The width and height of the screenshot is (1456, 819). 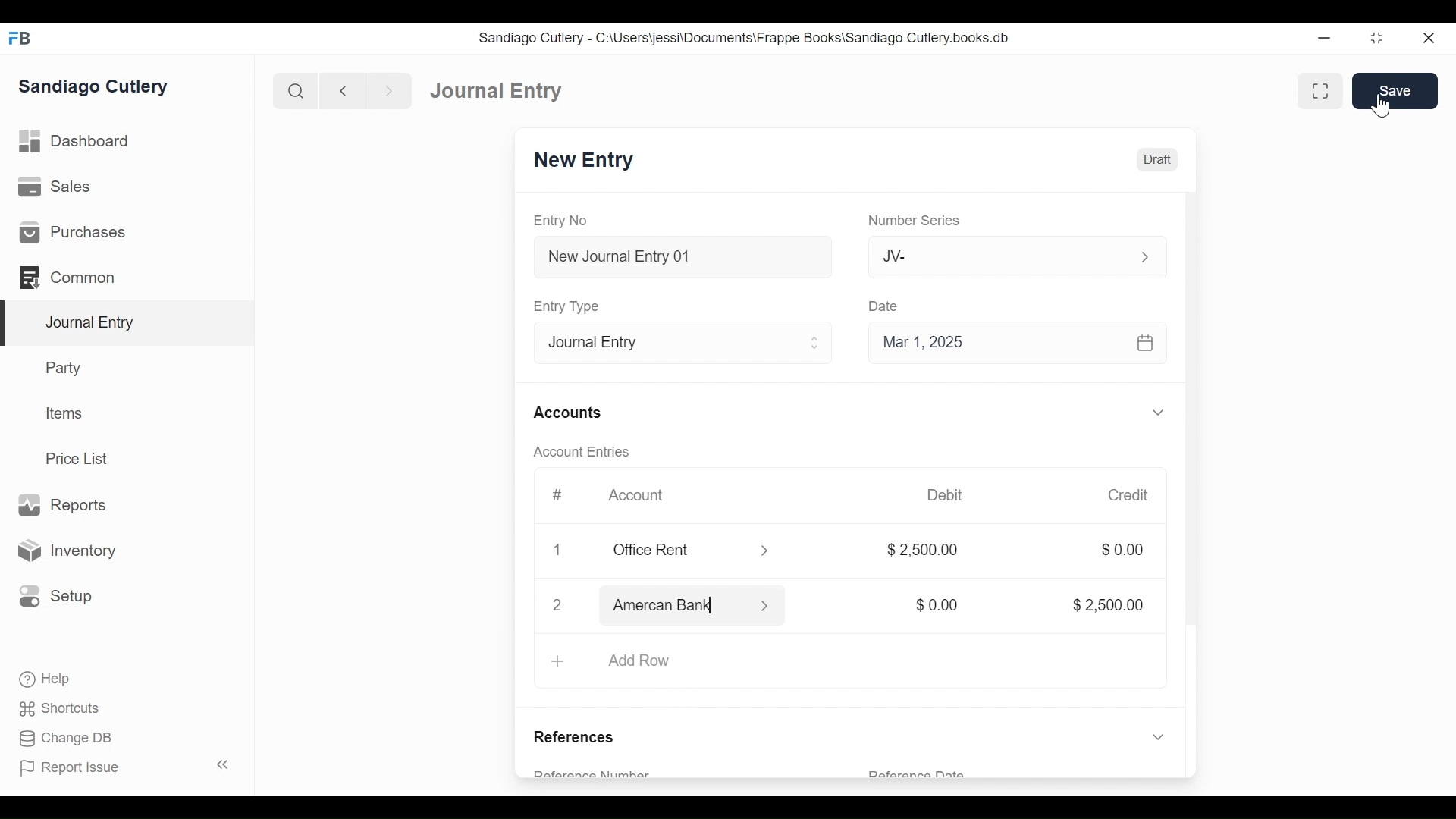 What do you see at coordinates (884, 306) in the screenshot?
I see `Date` at bounding box center [884, 306].